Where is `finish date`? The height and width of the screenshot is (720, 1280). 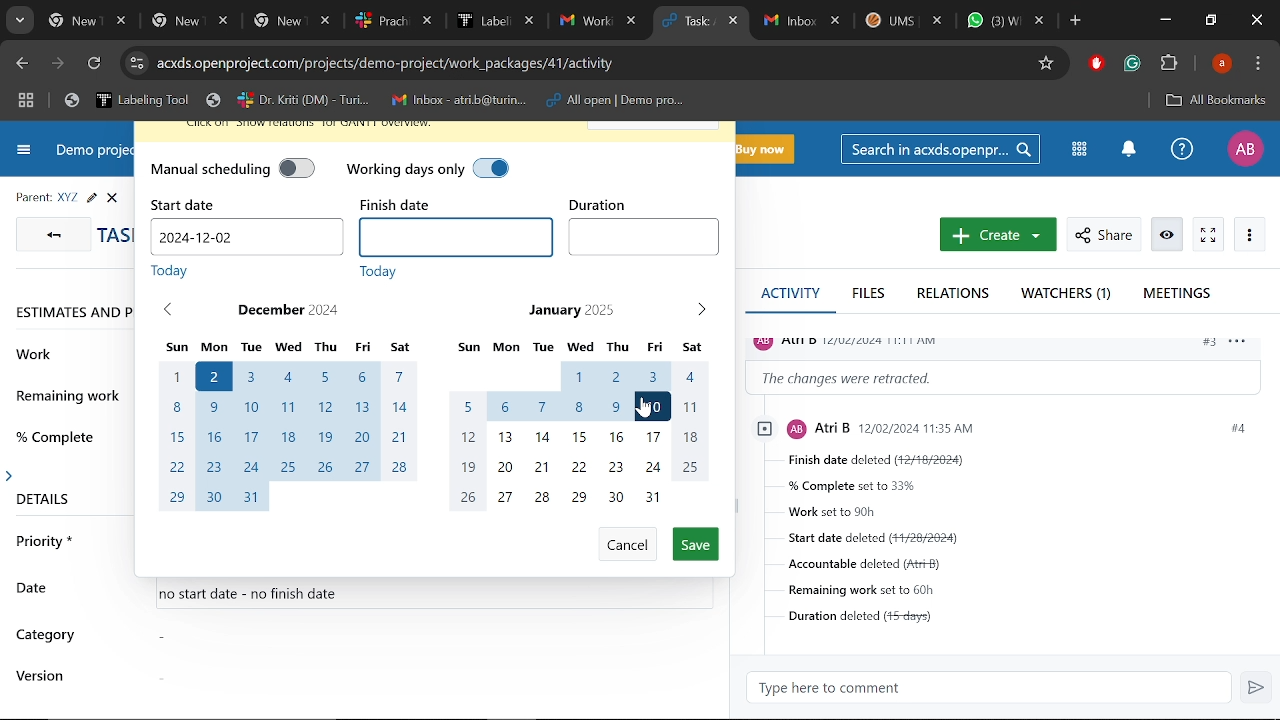 finish date is located at coordinates (416, 205).